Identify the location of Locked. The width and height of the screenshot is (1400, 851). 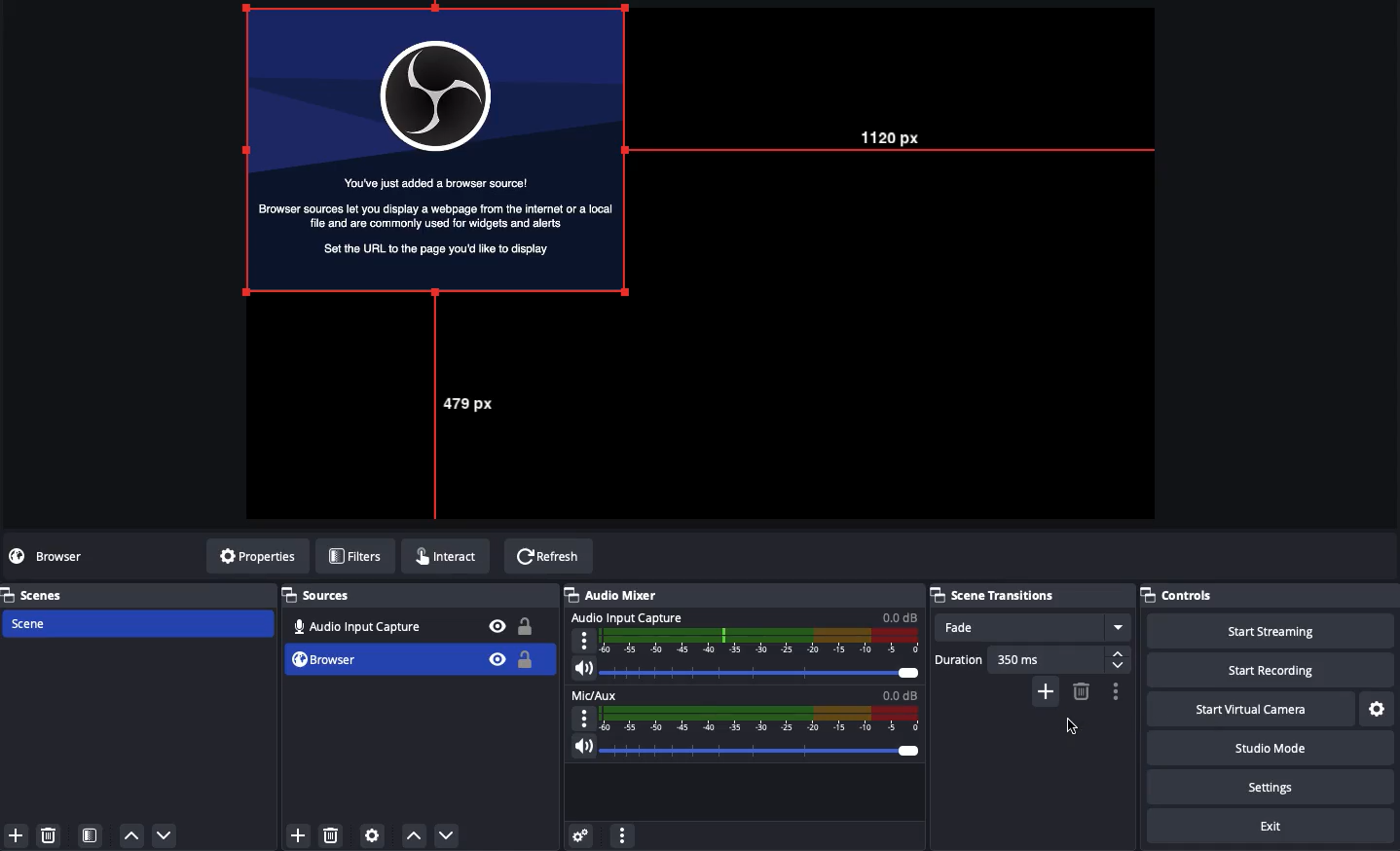
(527, 644).